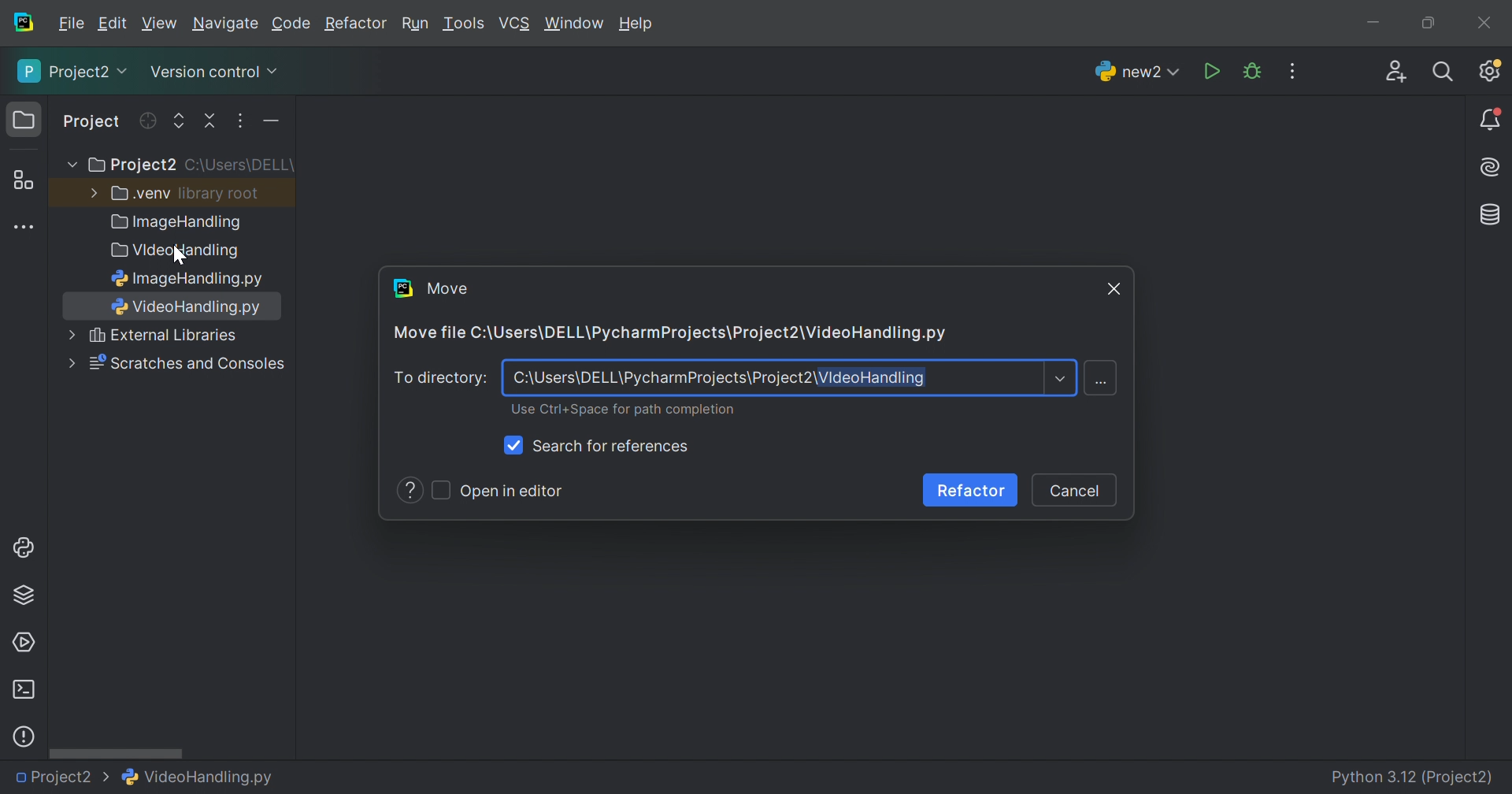 The height and width of the screenshot is (794, 1512). I want to click on Notifications, so click(1492, 121).